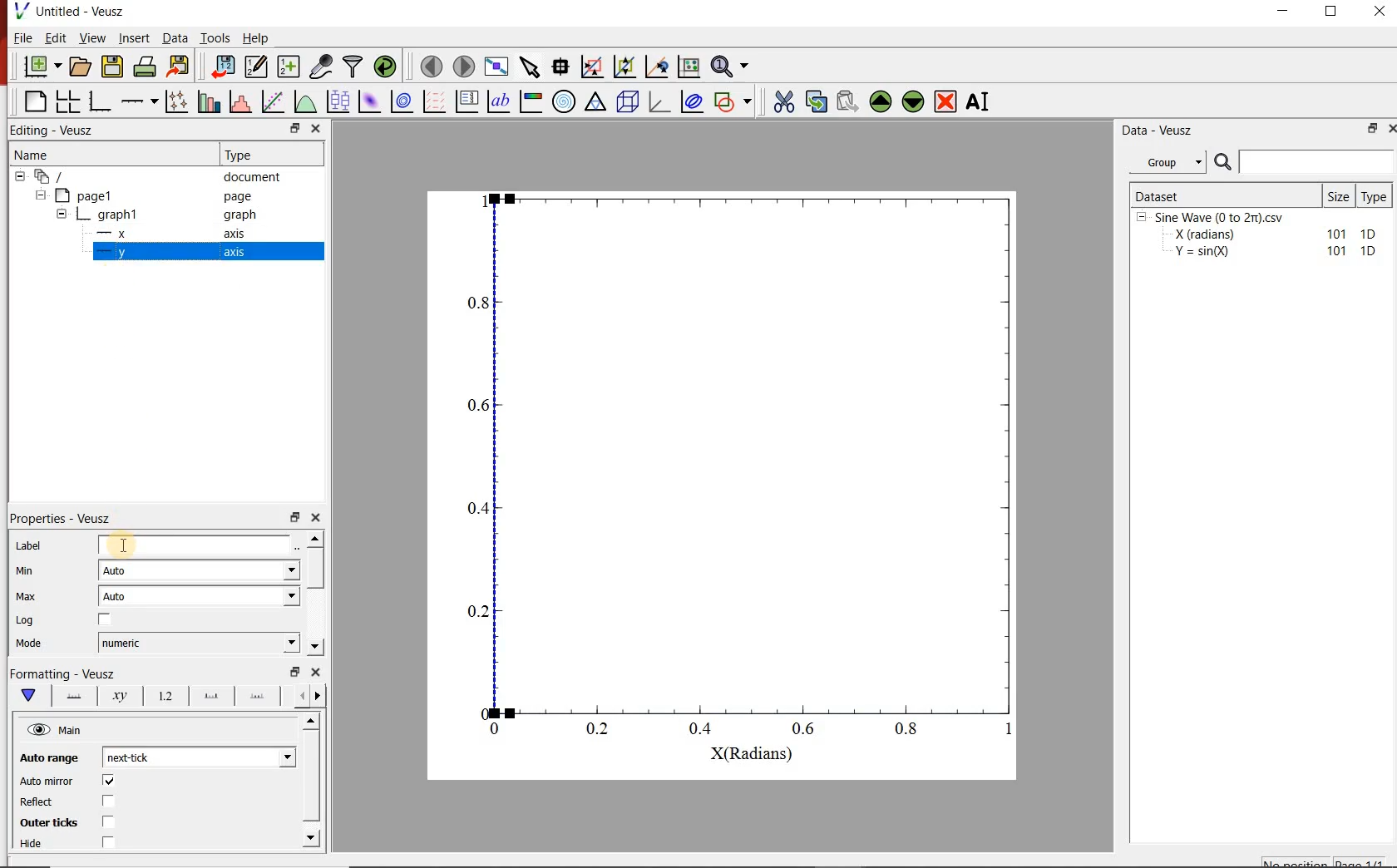 This screenshot has height=868, width=1397. Describe the element at coordinates (215, 37) in the screenshot. I see `Tools` at that location.